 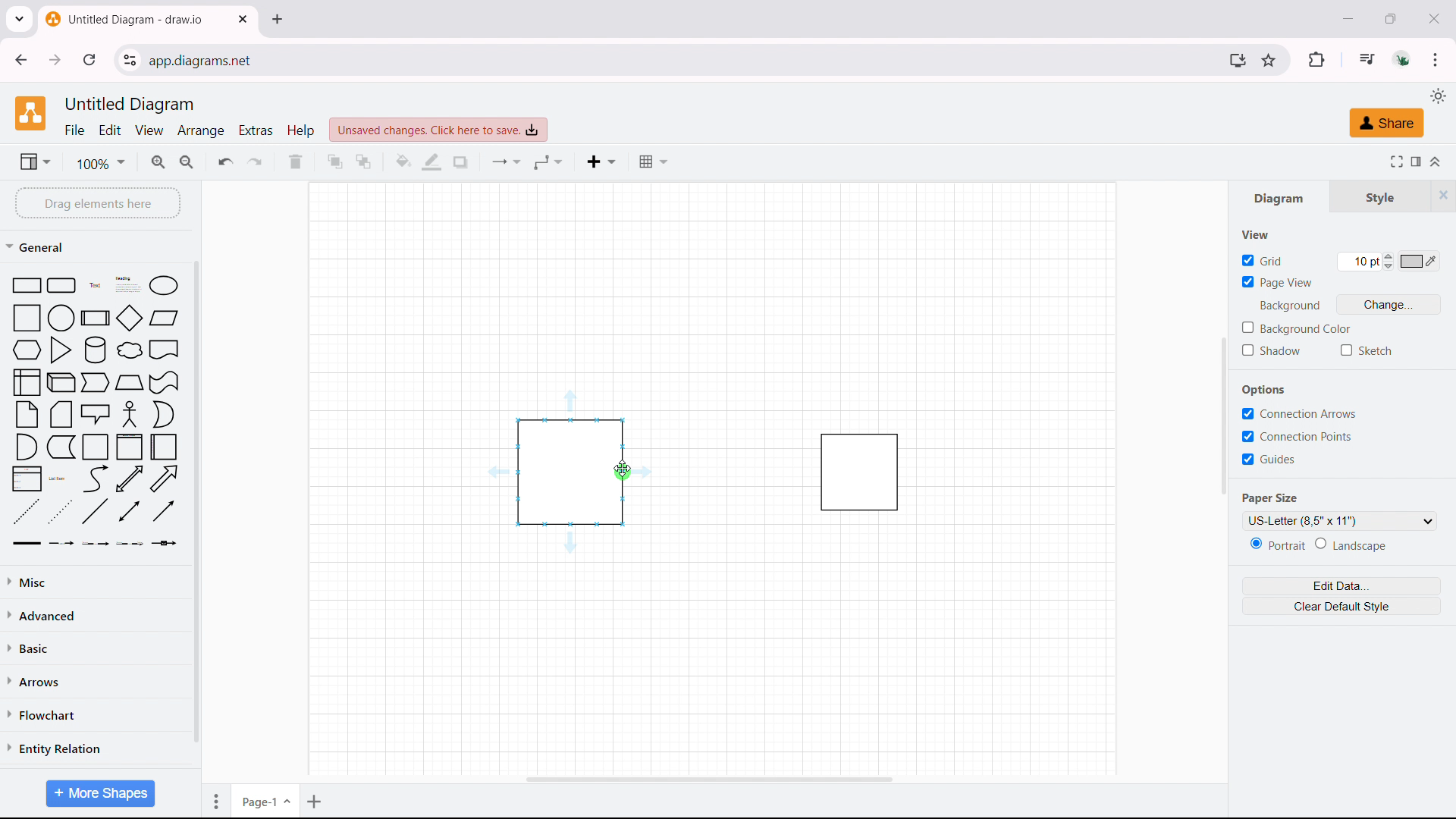 I want to click on collapse/expand, so click(x=1438, y=160).